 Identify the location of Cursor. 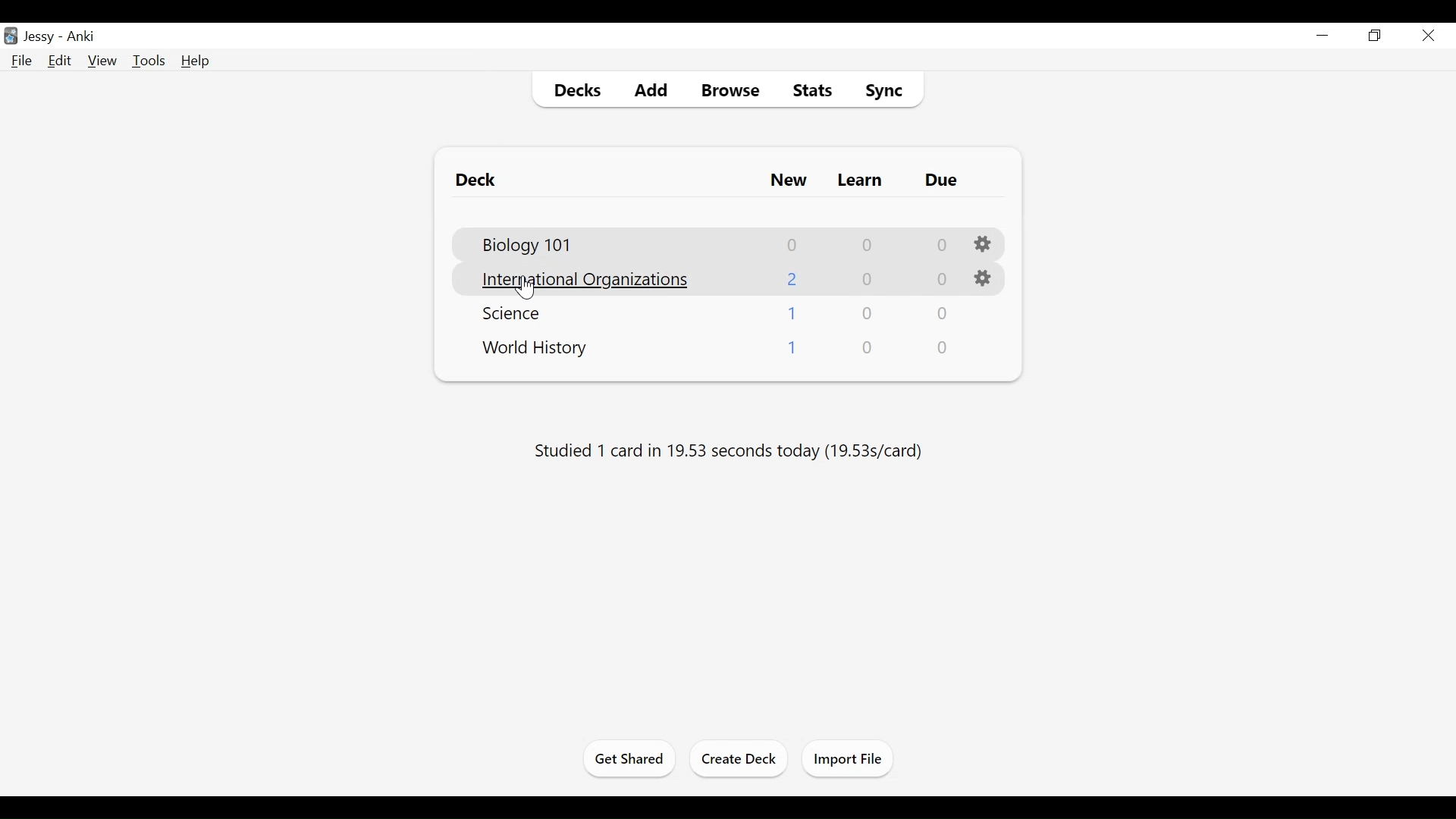
(526, 287).